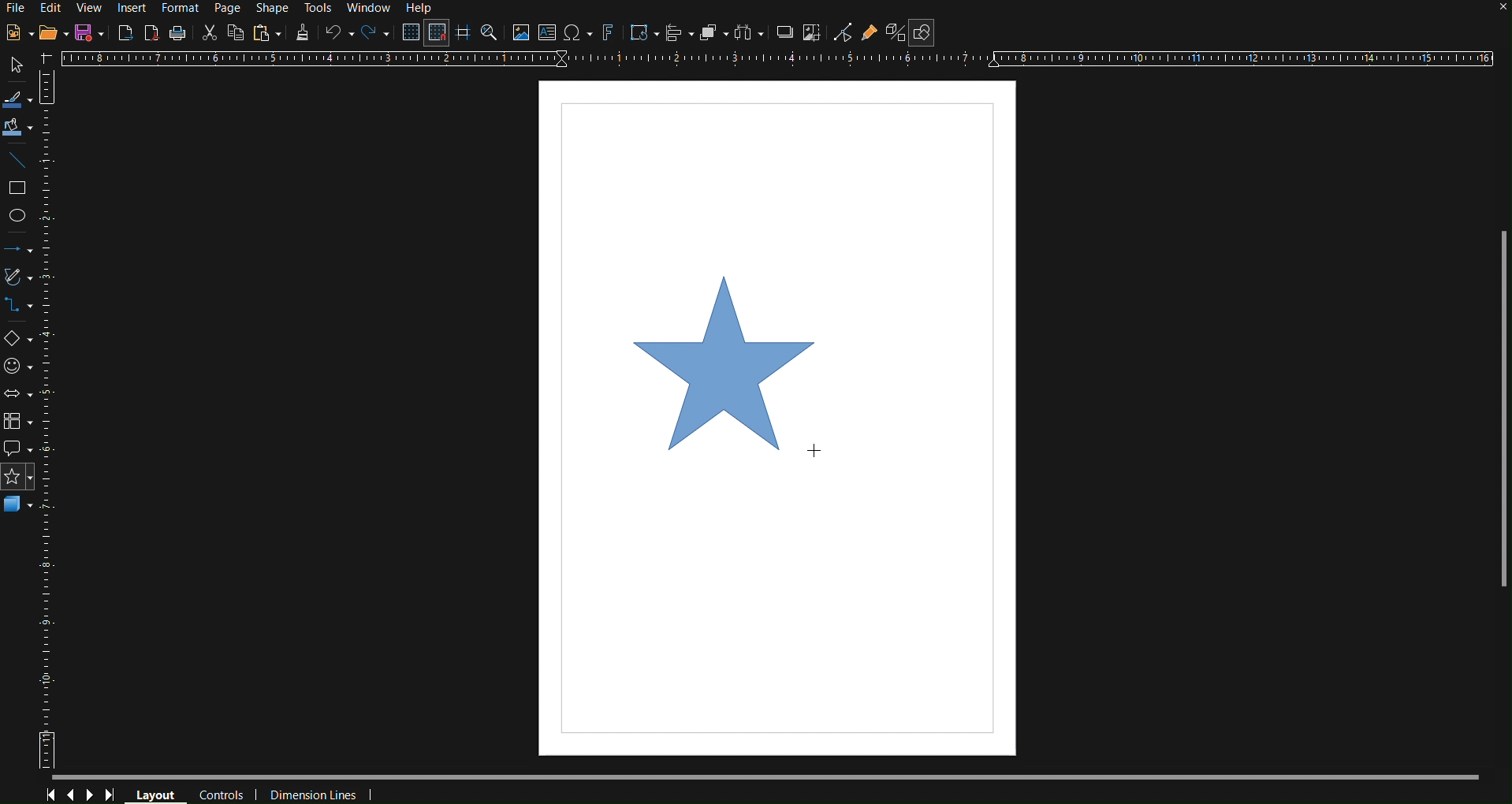 This screenshot has width=1512, height=804. I want to click on Callout Shapes, so click(19, 450).